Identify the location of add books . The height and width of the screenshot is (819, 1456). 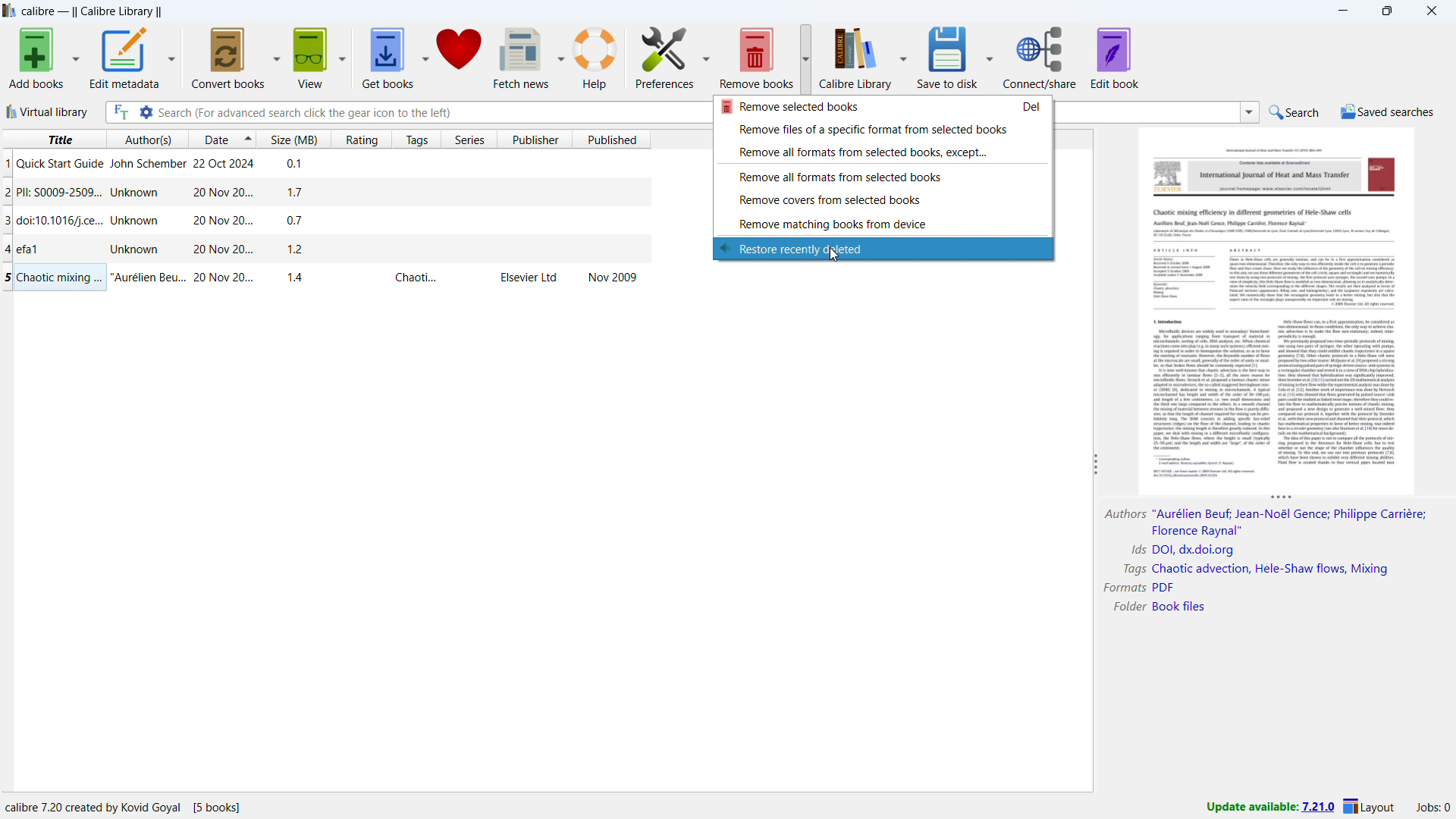
(36, 58).